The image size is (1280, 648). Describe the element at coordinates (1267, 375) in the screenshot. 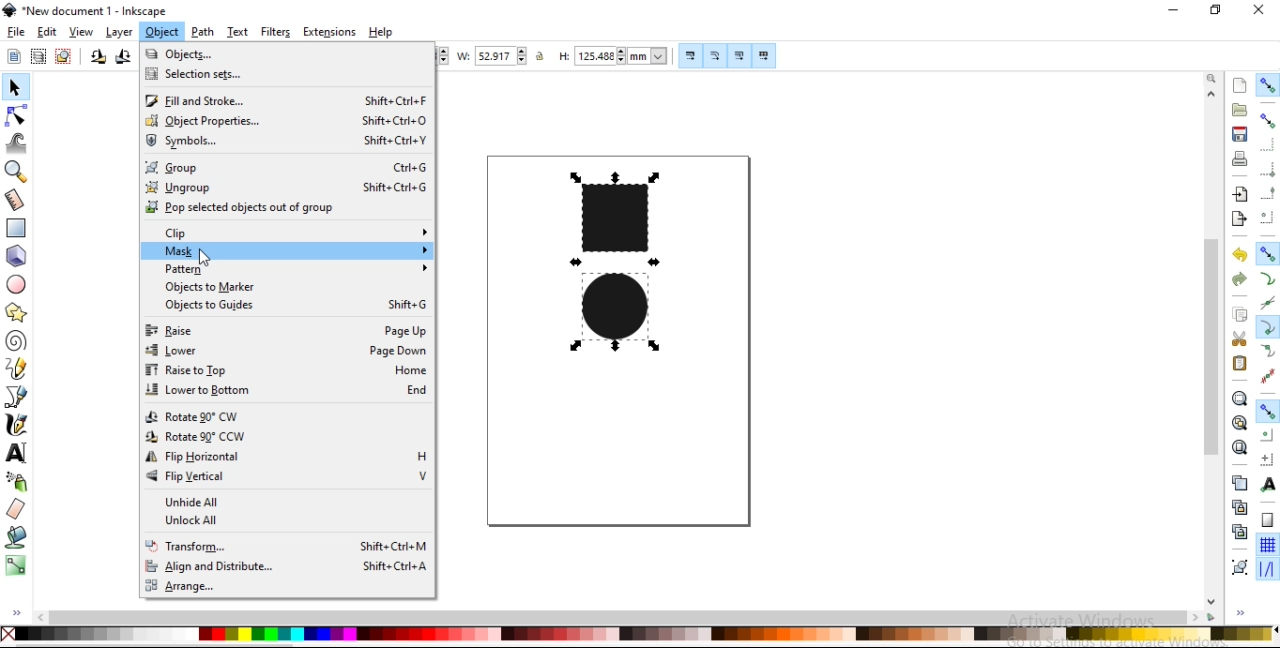

I see `snap midpoints of line segments` at that location.